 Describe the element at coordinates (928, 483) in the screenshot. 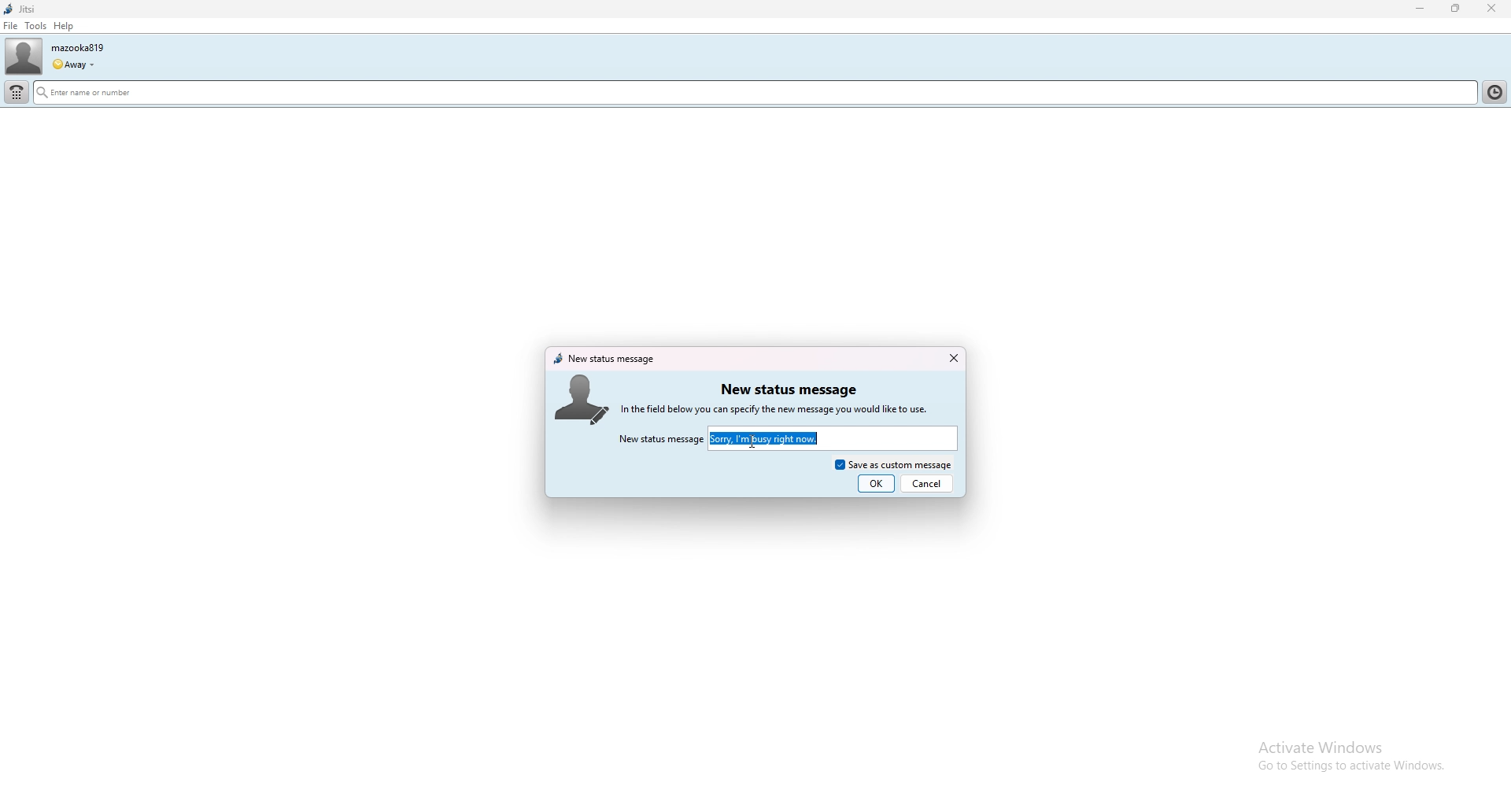

I see `cancel` at that location.